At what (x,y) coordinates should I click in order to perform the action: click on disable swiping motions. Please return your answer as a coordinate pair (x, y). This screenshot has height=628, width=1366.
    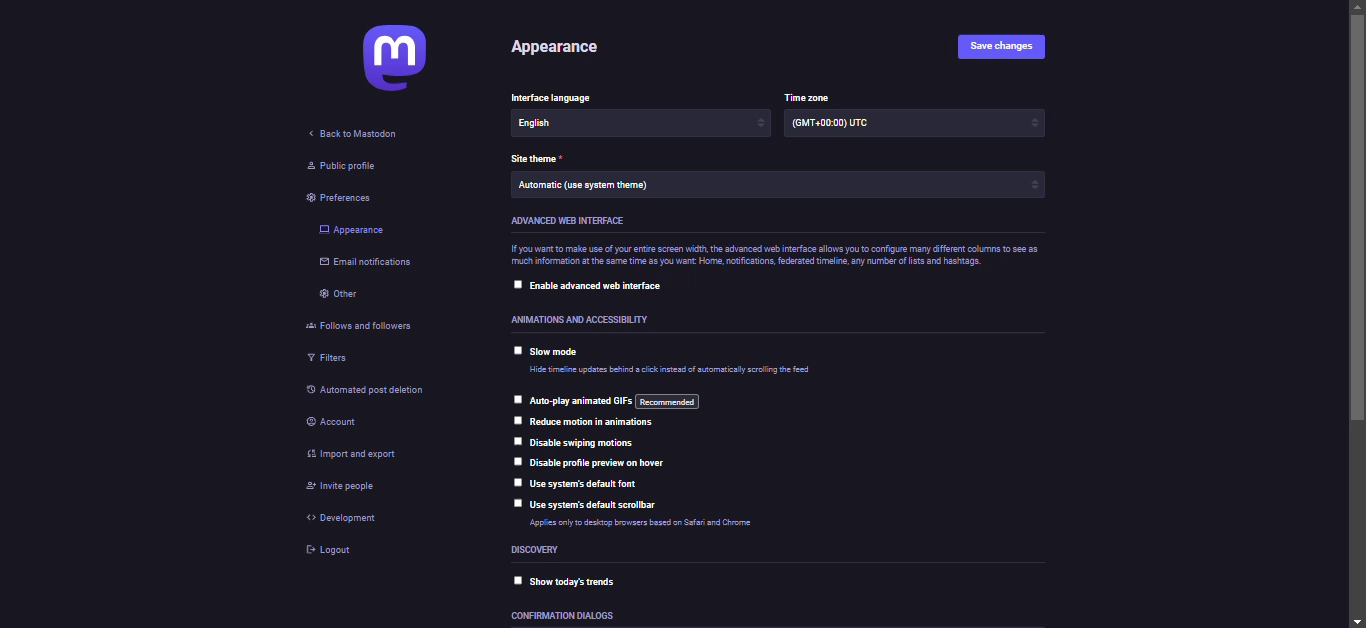
    Looking at the image, I should click on (585, 443).